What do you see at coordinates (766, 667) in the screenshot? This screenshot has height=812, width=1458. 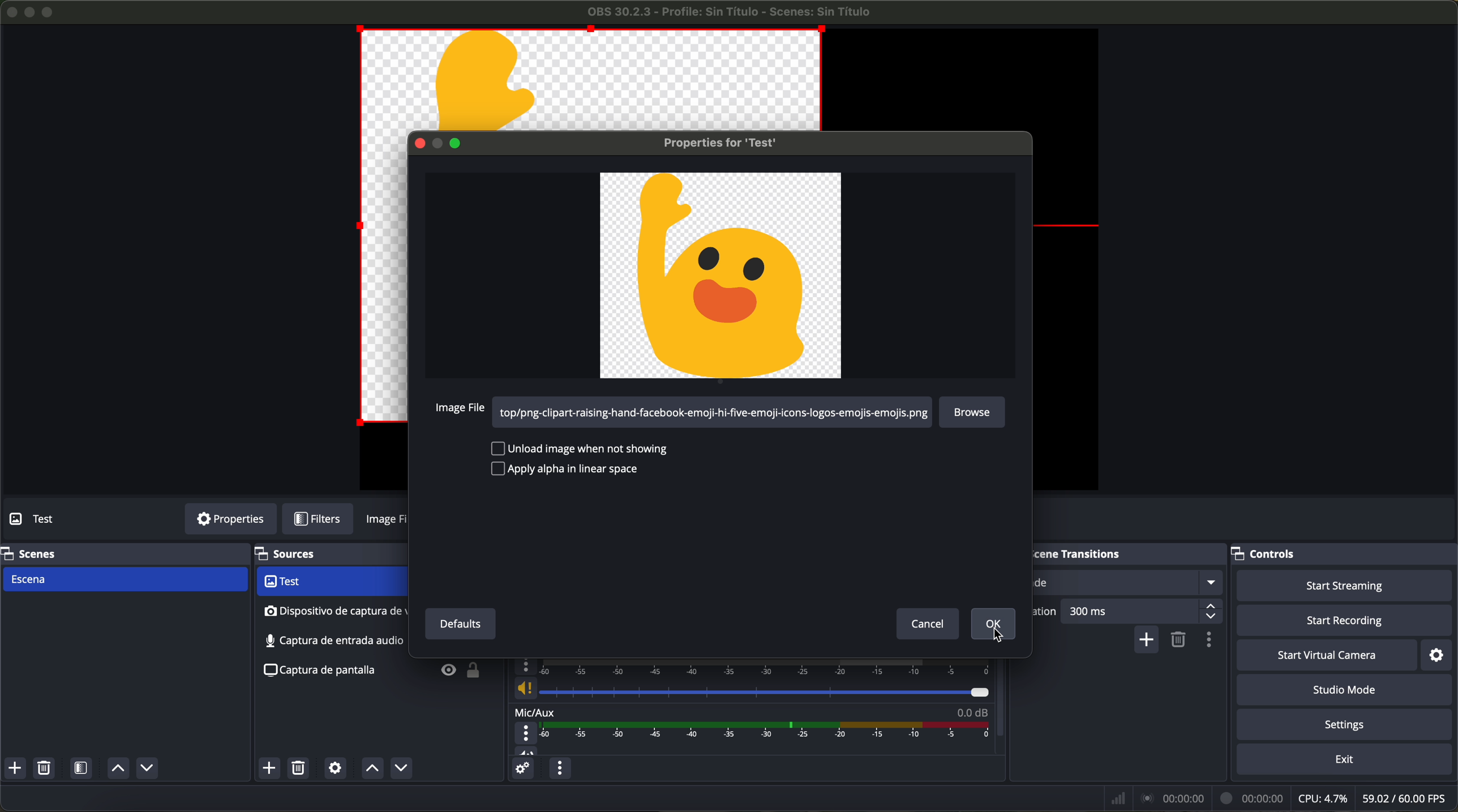 I see `timeline` at bounding box center [766, 667].